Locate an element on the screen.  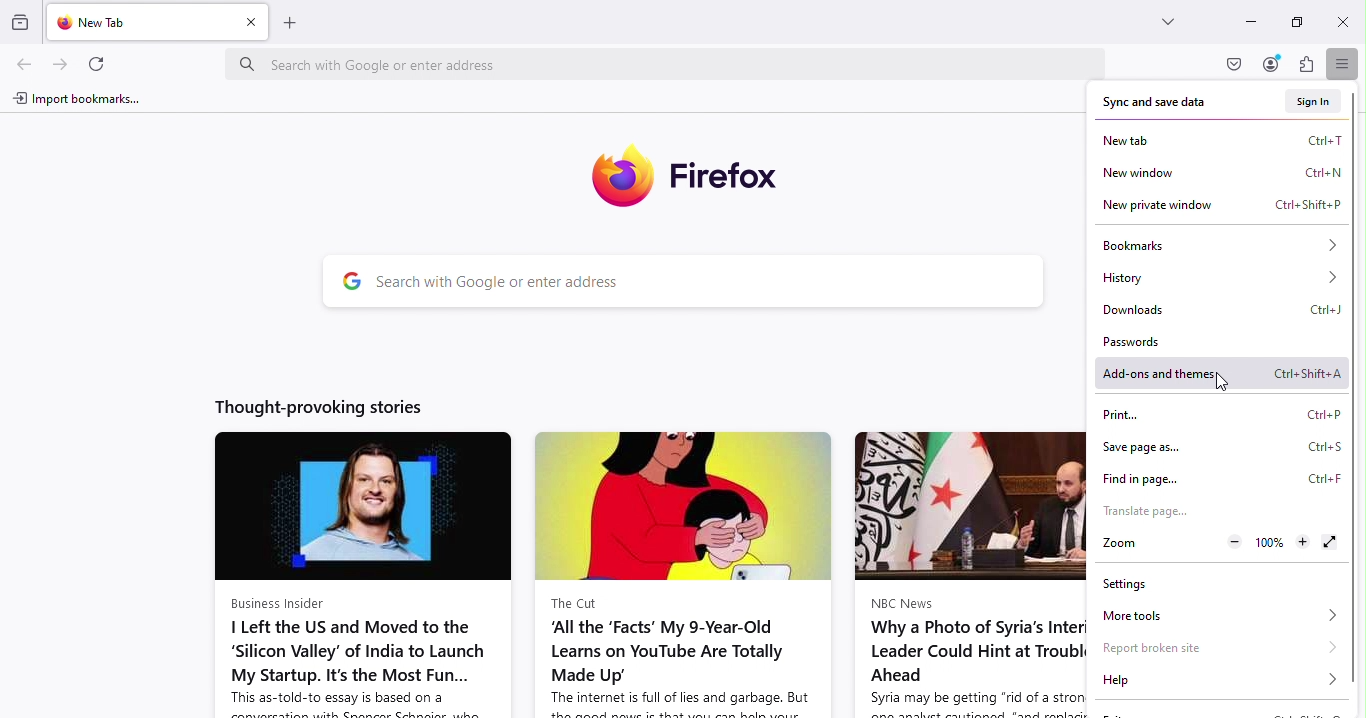
Help is located at coordinates (1220, 678).